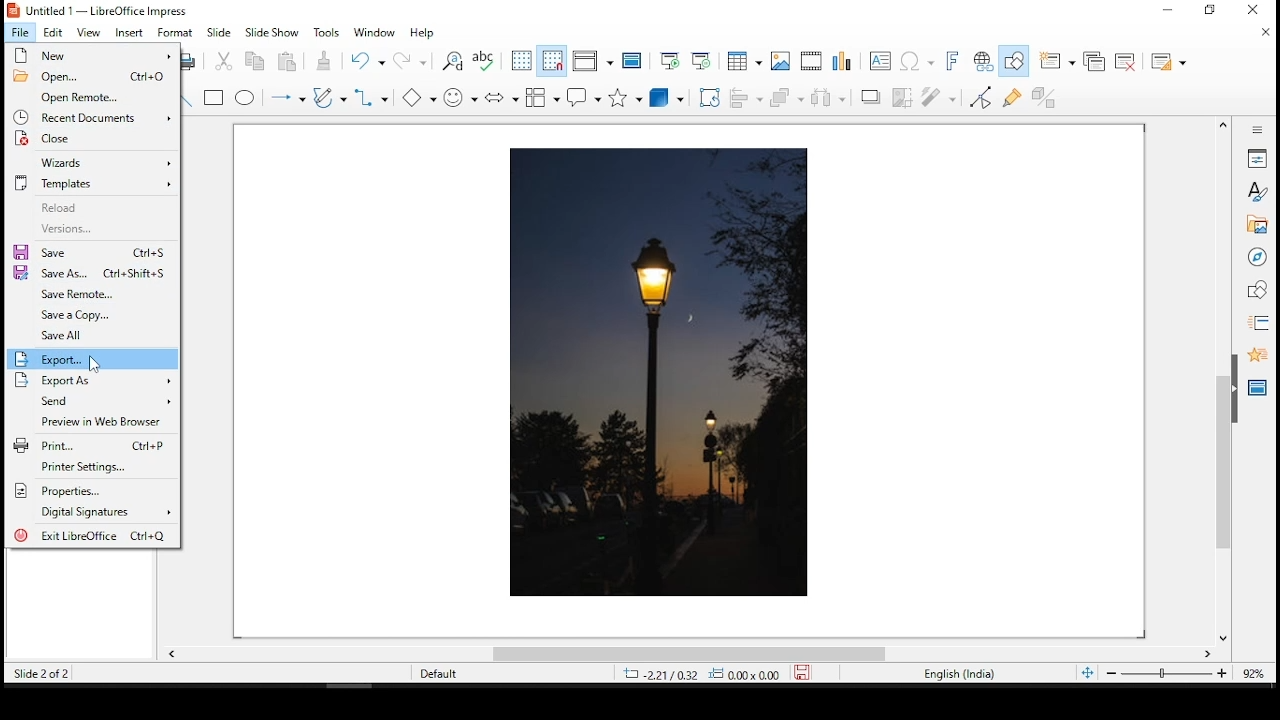 The width and height of the screenshot is (1280, 720). I want to click on print, so click(91, 444).